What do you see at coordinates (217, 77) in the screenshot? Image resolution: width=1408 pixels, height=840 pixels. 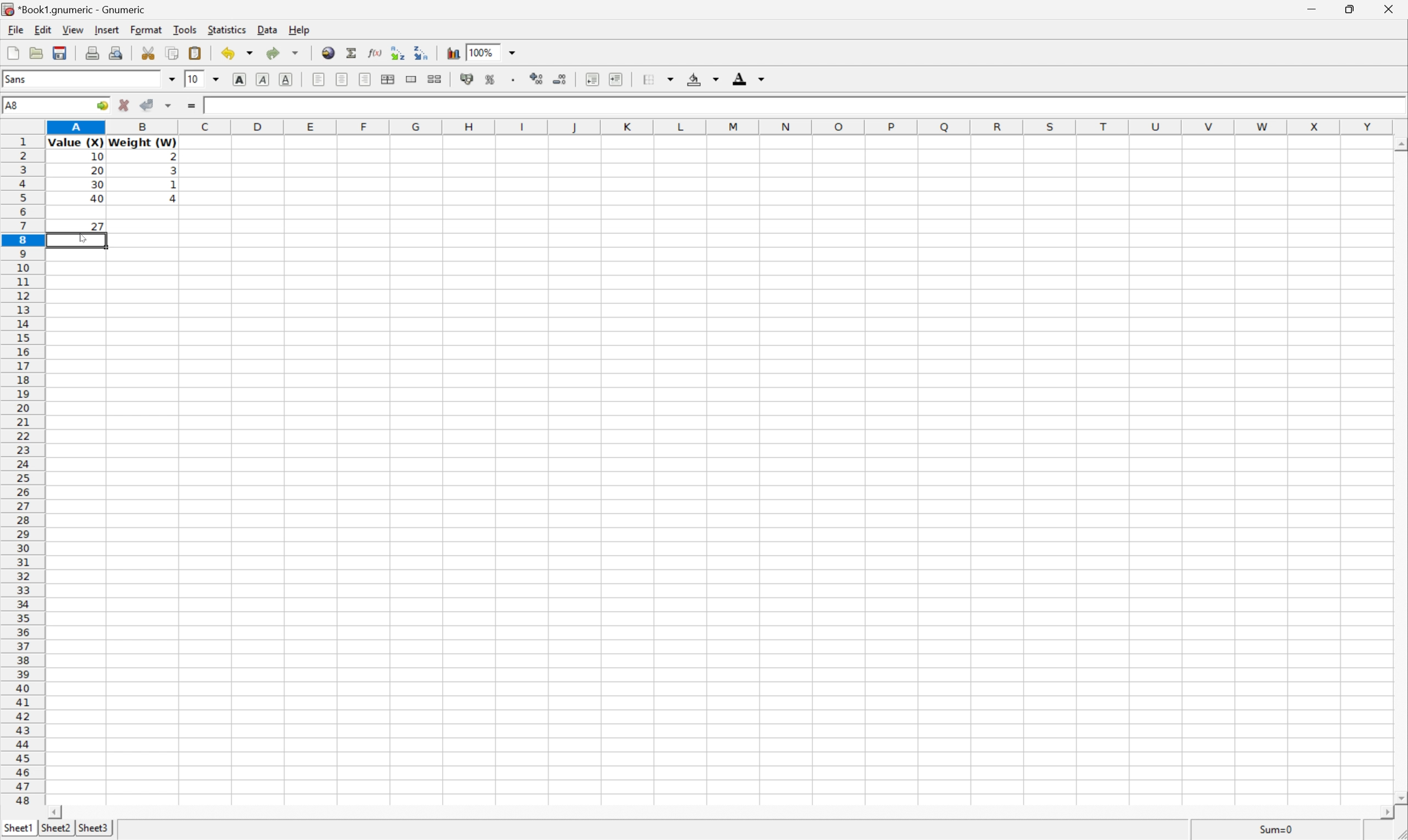 I see `Drop Down` at bounding box center [217, 77].